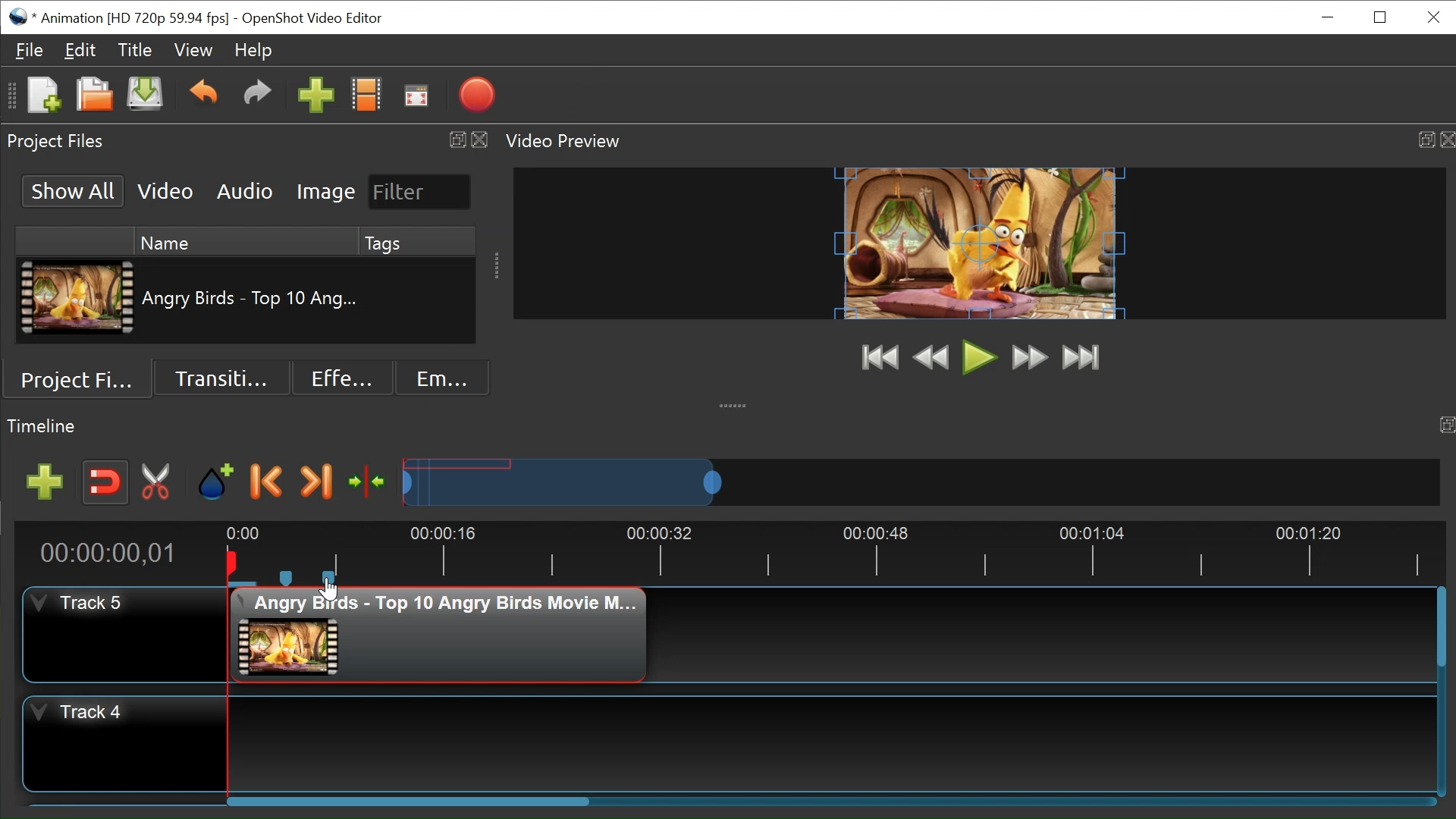 This screenshot has height=819, width=1456. Describe the element at coordinates (443, 378) in the screenshot. I see `Emoji` at that location.